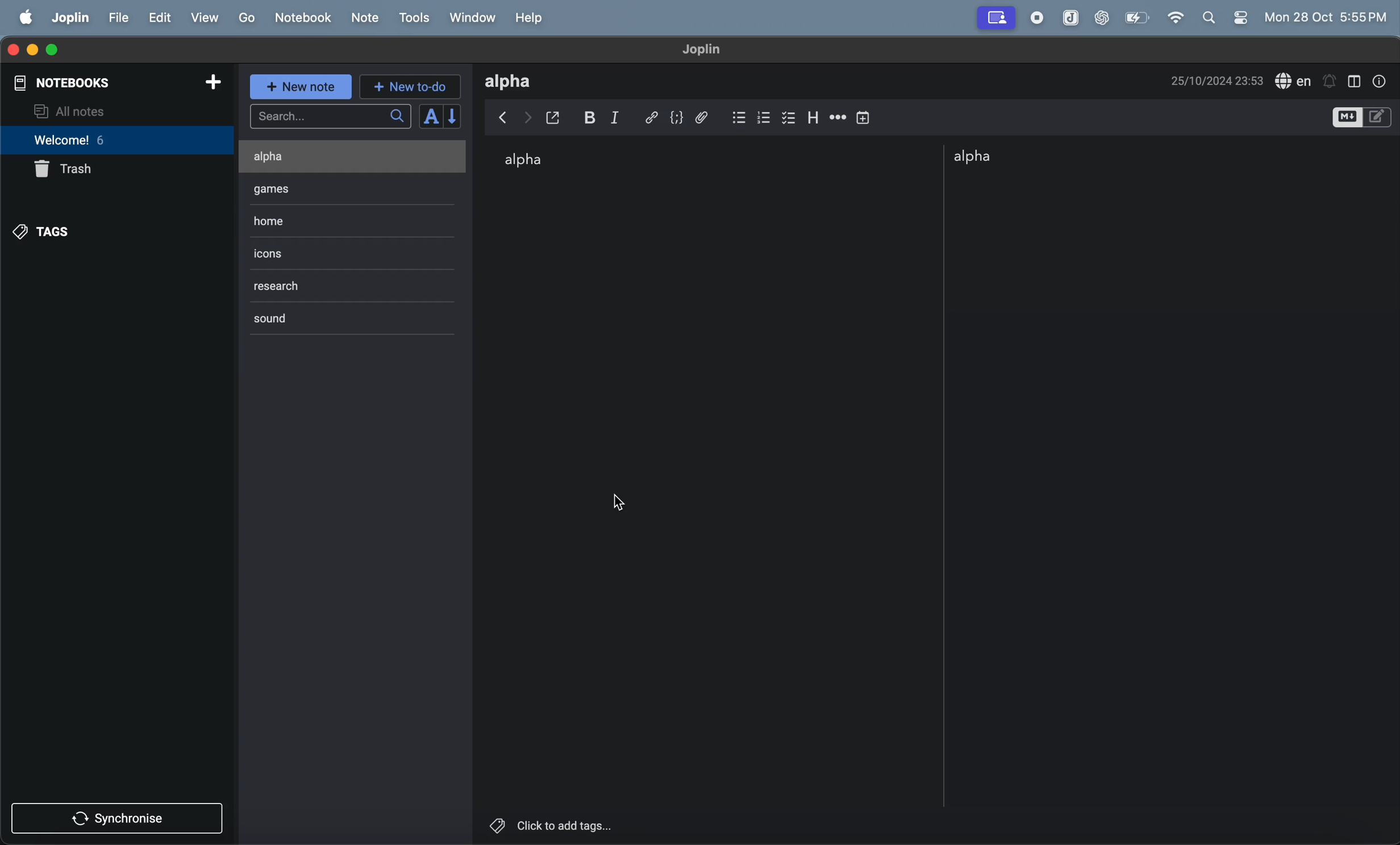  What do you see at coordinates (418, 18) in the screenshot?
I see `tools` at bounding box center [418, 18].